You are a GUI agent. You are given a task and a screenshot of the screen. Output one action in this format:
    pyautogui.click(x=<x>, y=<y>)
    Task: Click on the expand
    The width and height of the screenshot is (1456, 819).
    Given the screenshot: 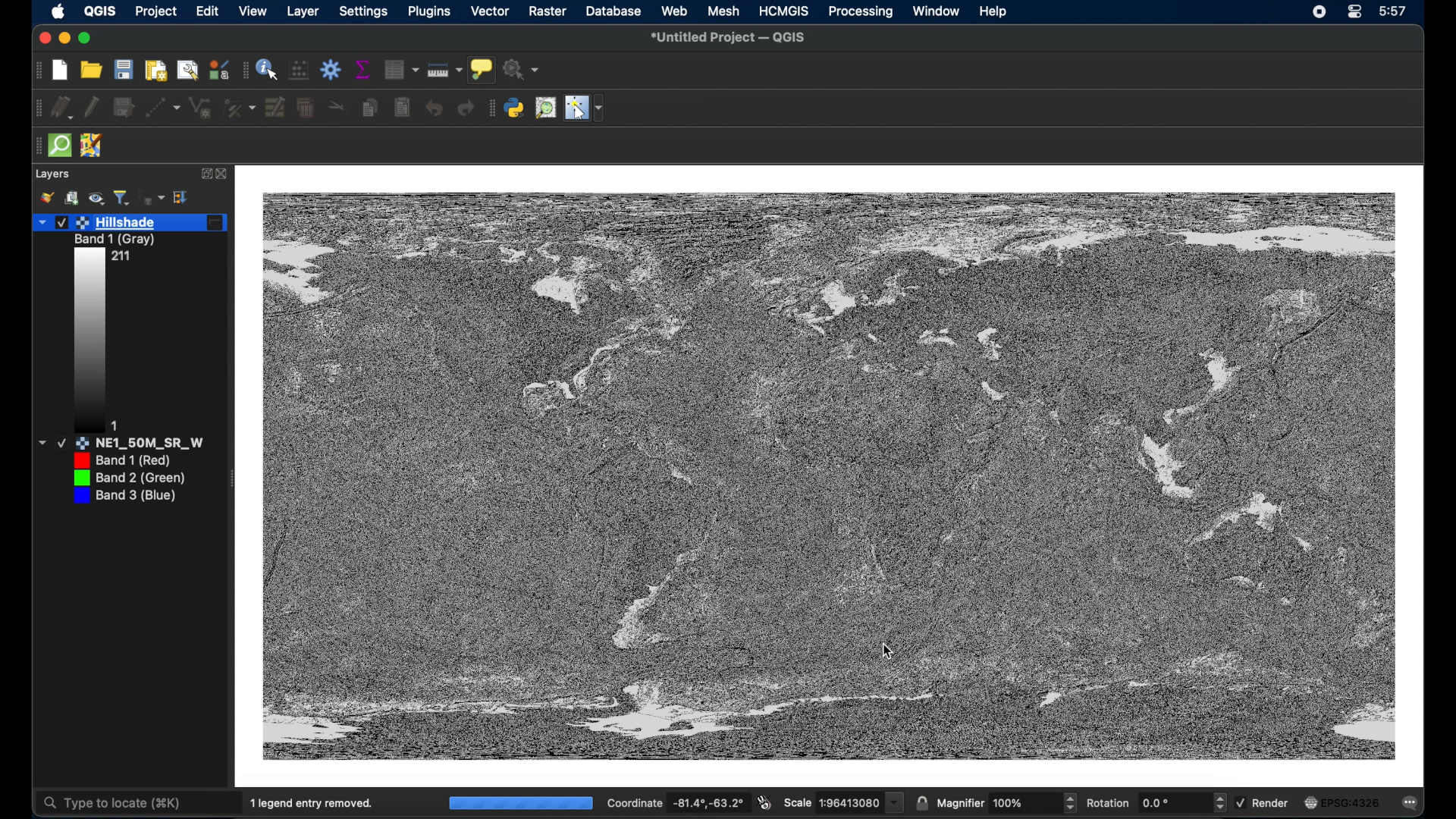 What is the action you would take?
    pyautogui.click(x=184, y=198)
    